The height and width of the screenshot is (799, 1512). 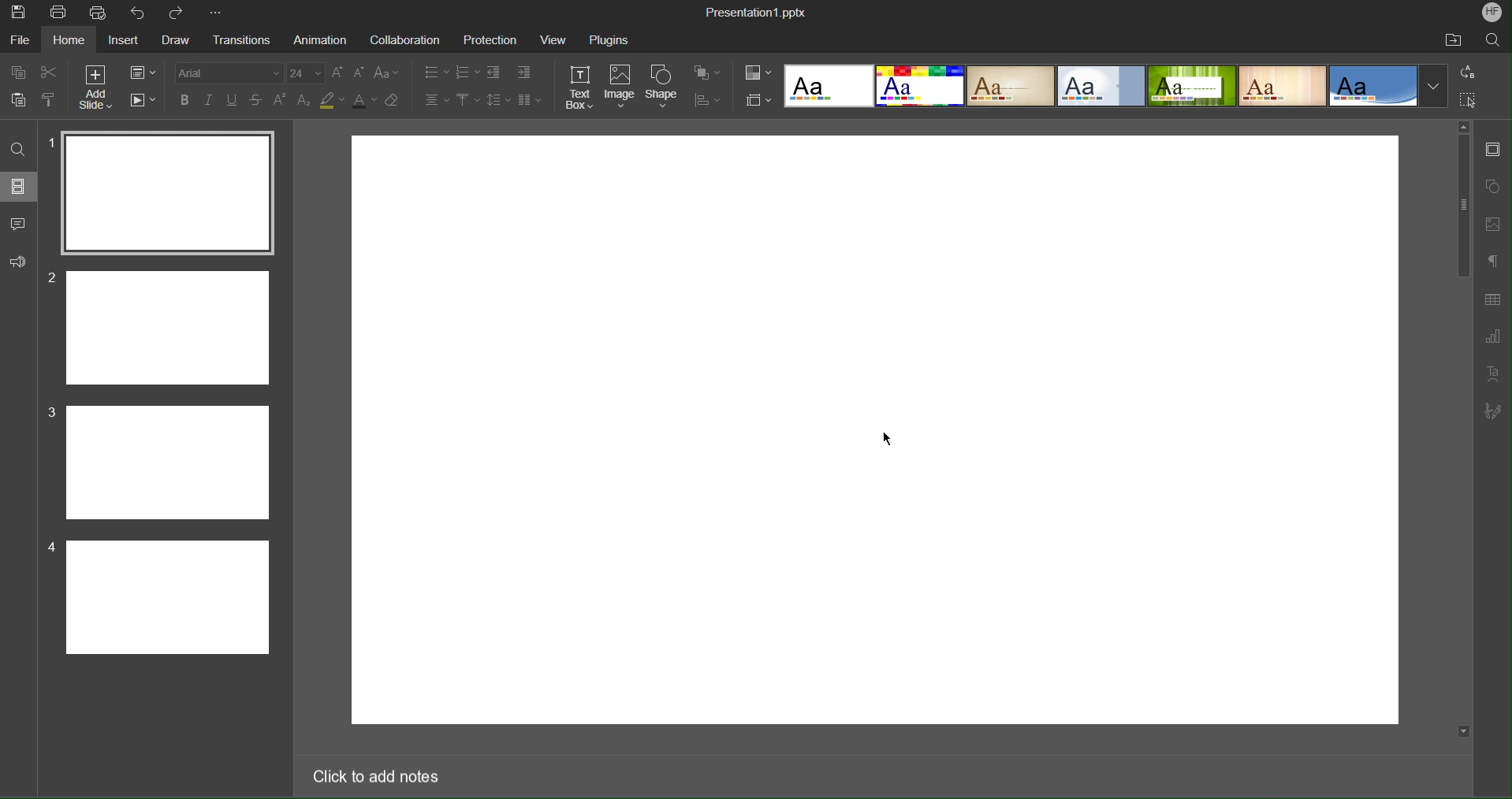 What do you see at coordinates (437, 71) in the screenshot?
I see `Bullet List` at bounding box center [437, 71].